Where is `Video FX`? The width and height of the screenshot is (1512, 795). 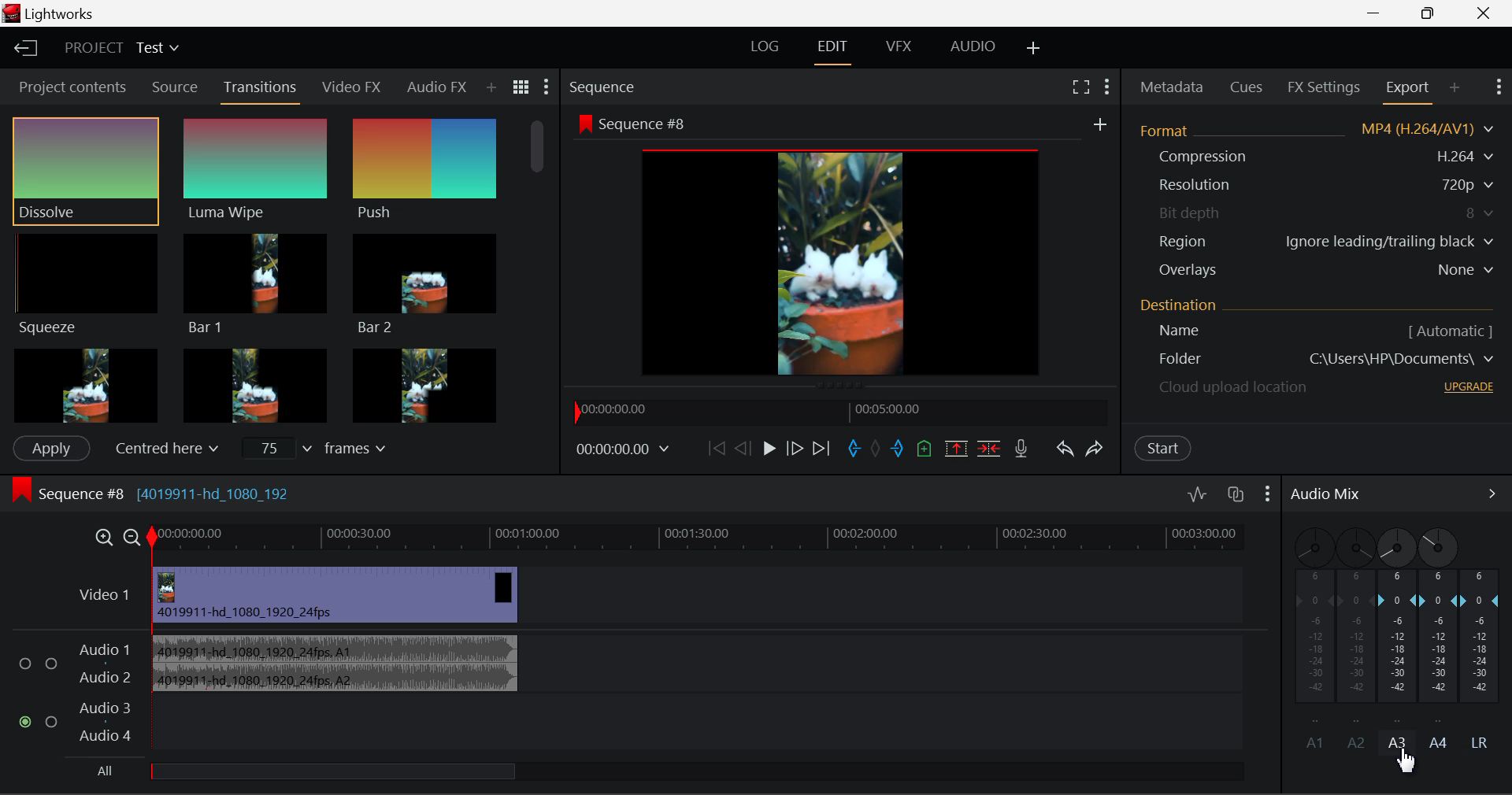 Video FX is located at coordinates (350, 91).